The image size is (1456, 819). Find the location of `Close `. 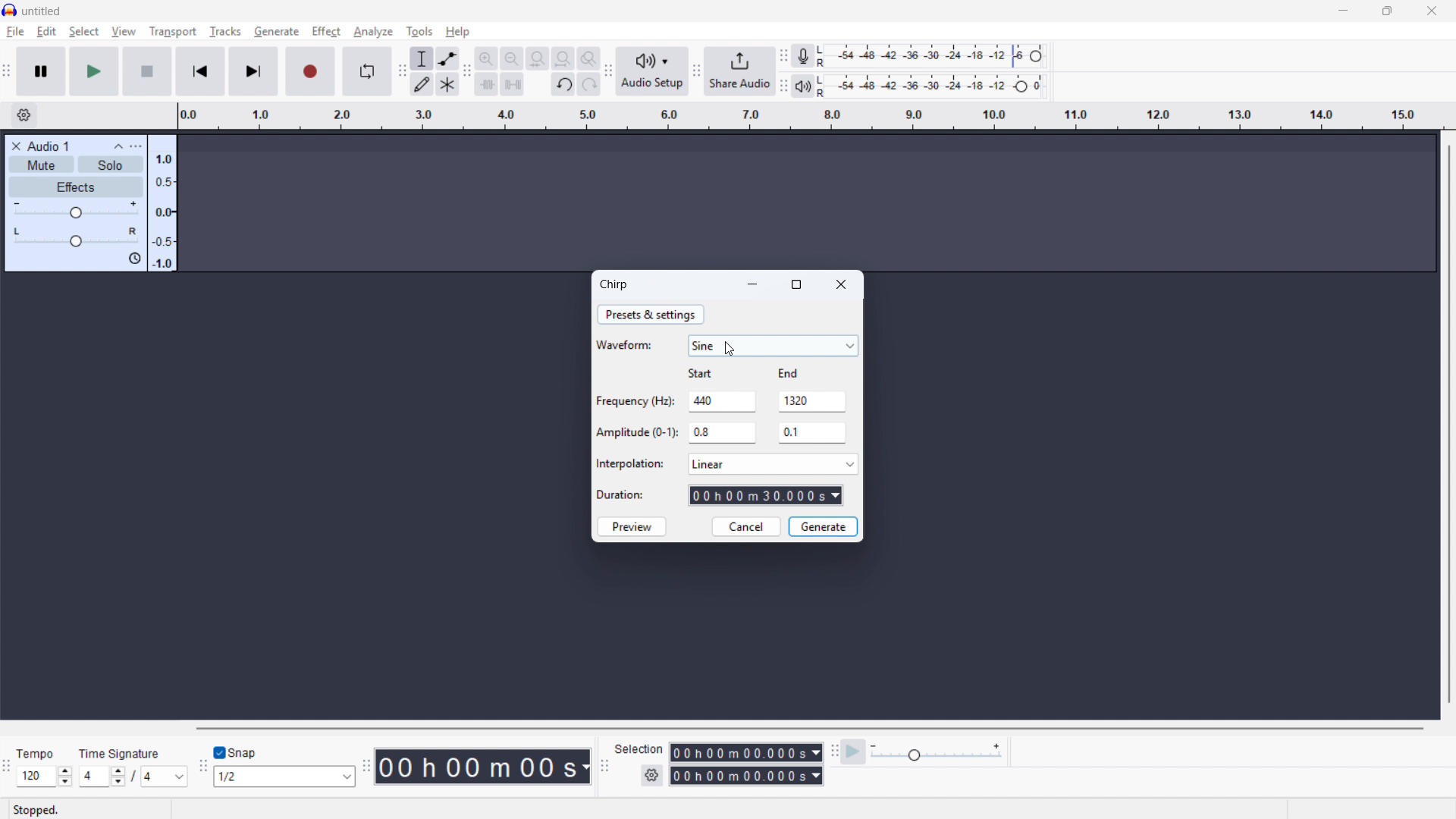

Close  is located at coordinates (1430, 11).